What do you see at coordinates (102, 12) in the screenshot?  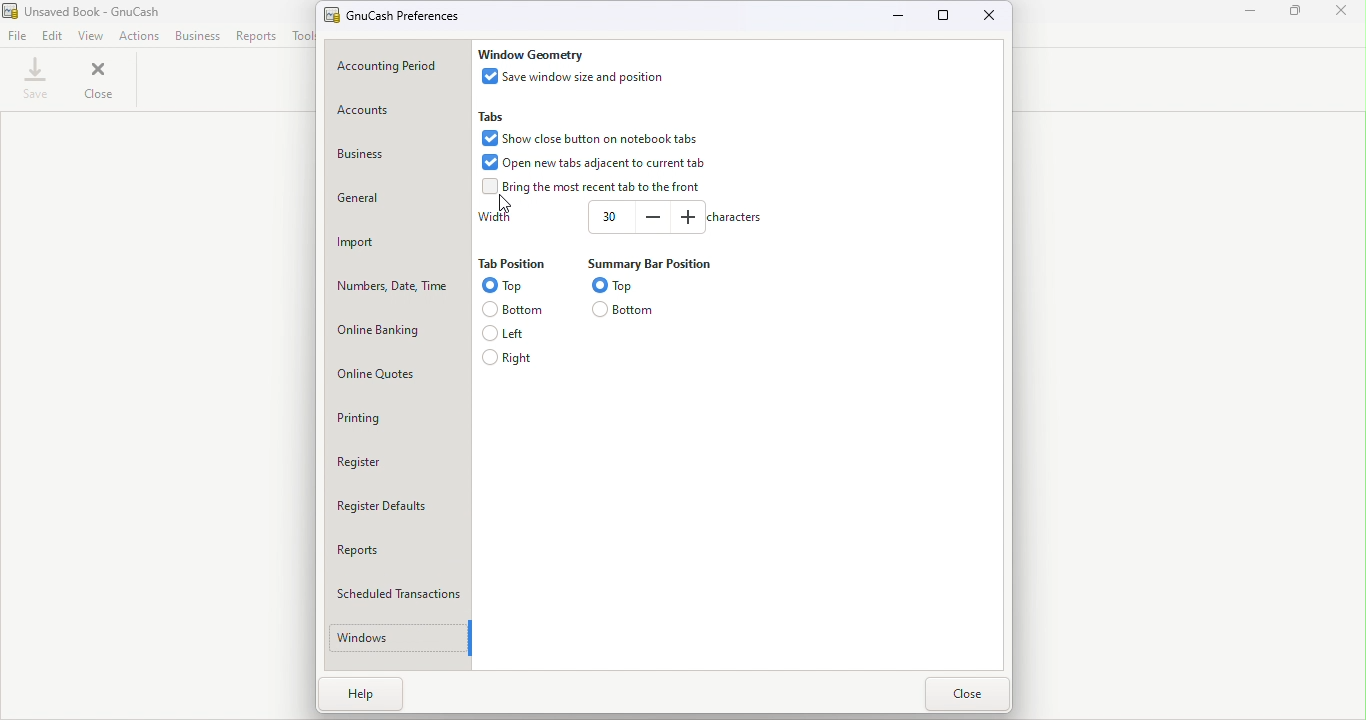 I see `File name` at bounding box center [102, 12].